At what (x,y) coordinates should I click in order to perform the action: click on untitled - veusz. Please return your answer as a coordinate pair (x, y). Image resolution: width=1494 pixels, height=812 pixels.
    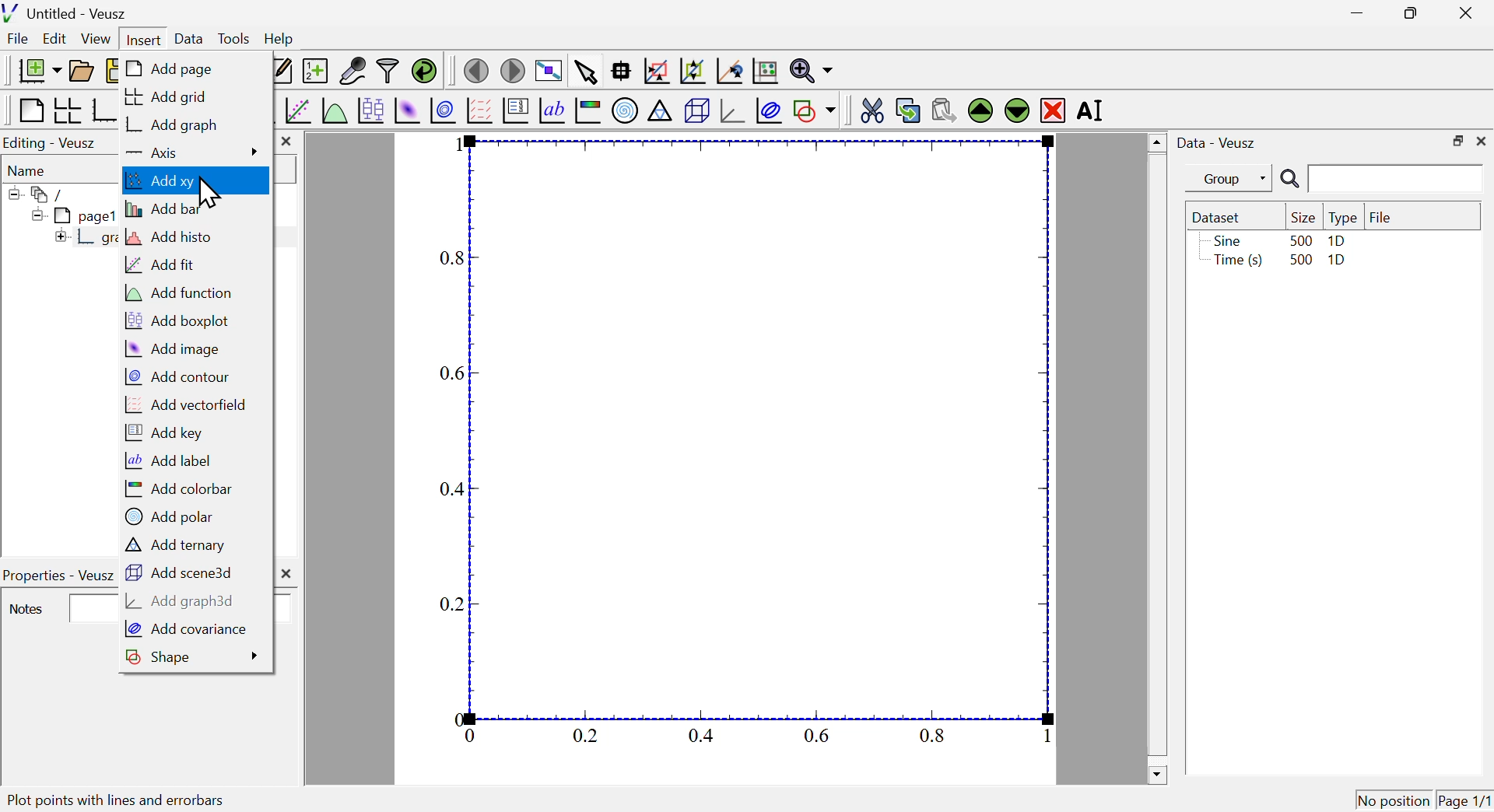
    Looking at the image, I should click on (67, 12).